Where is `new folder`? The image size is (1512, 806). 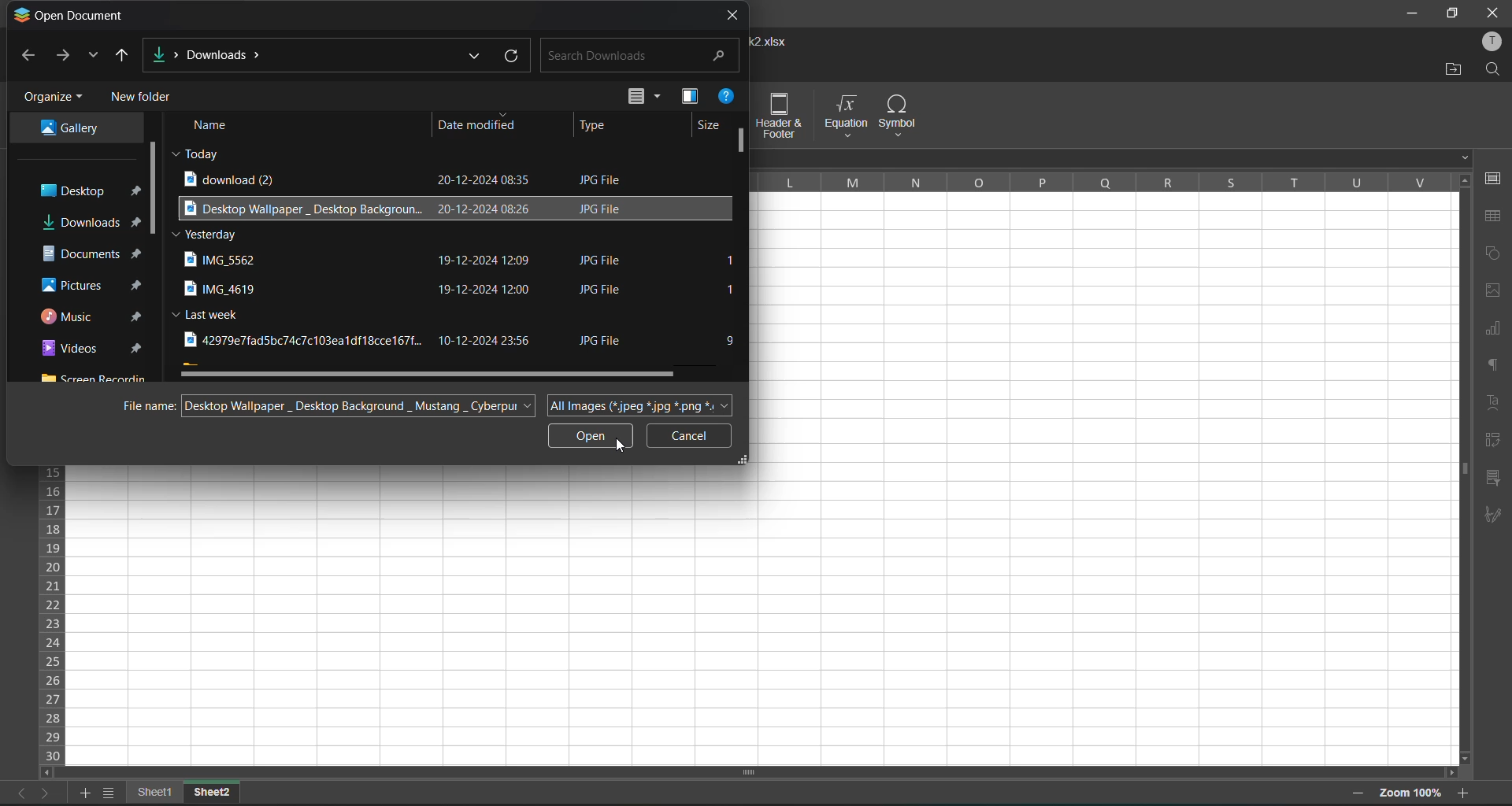
new folder is located at coordinates (147, 98).